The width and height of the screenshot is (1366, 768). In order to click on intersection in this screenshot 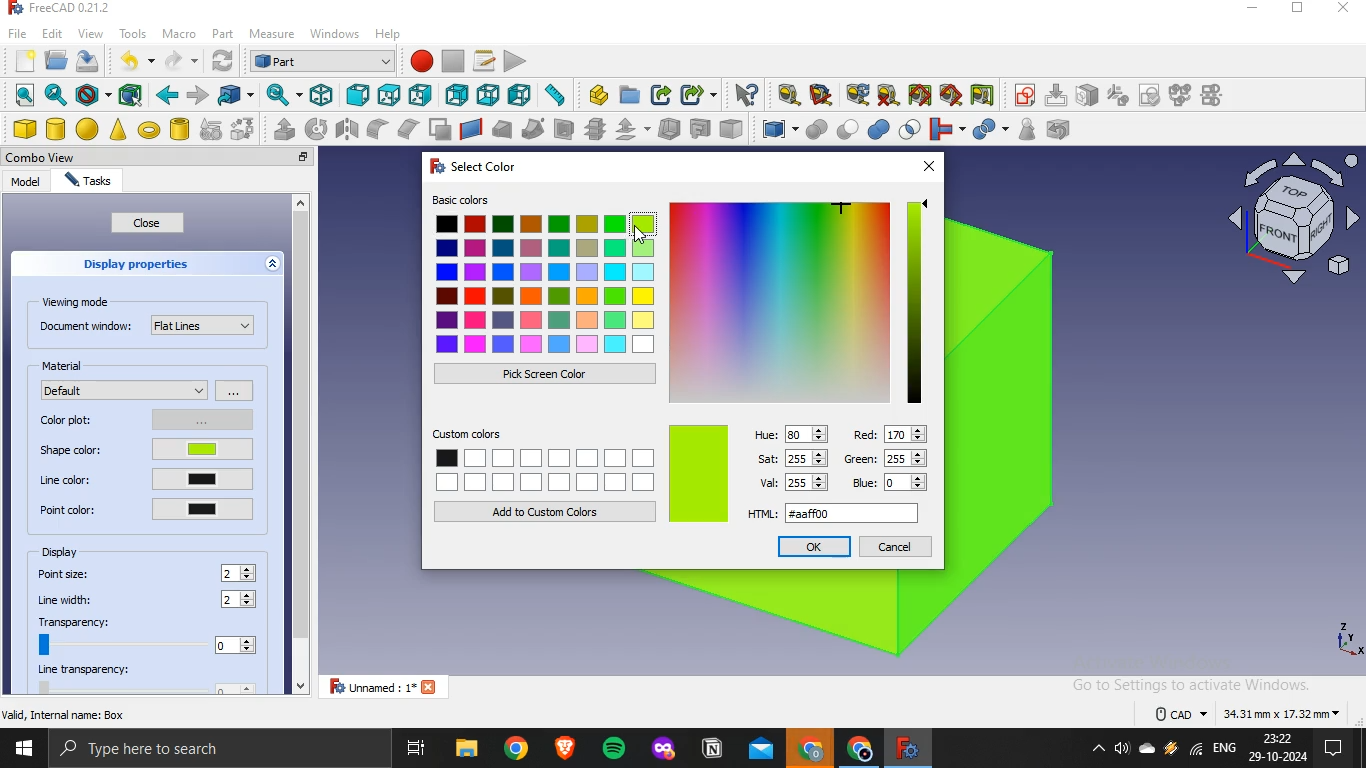, I will do `click(911, 127)`.